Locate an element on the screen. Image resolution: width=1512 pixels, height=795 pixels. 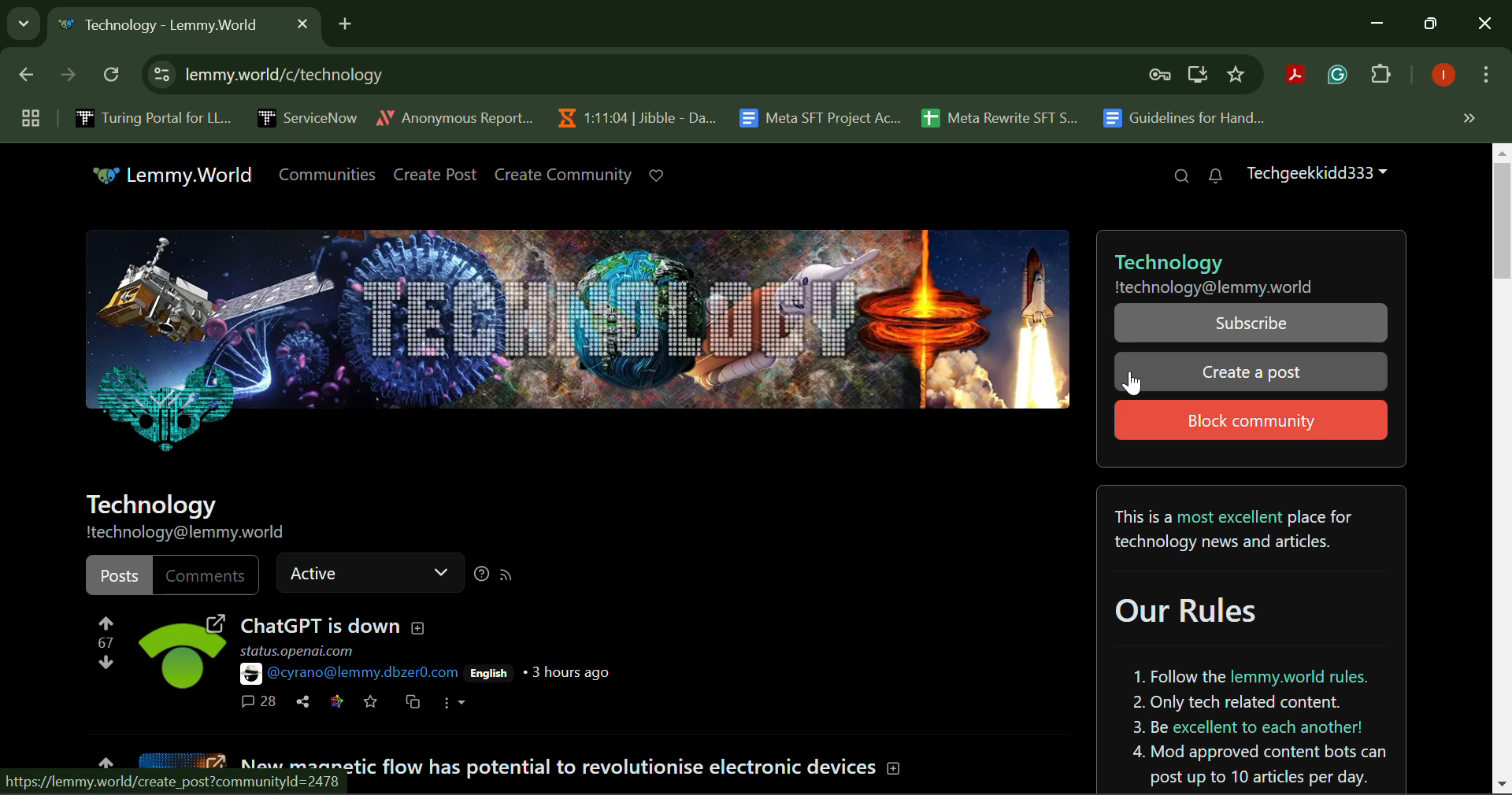
Search is located at coordinates (1181, 177).